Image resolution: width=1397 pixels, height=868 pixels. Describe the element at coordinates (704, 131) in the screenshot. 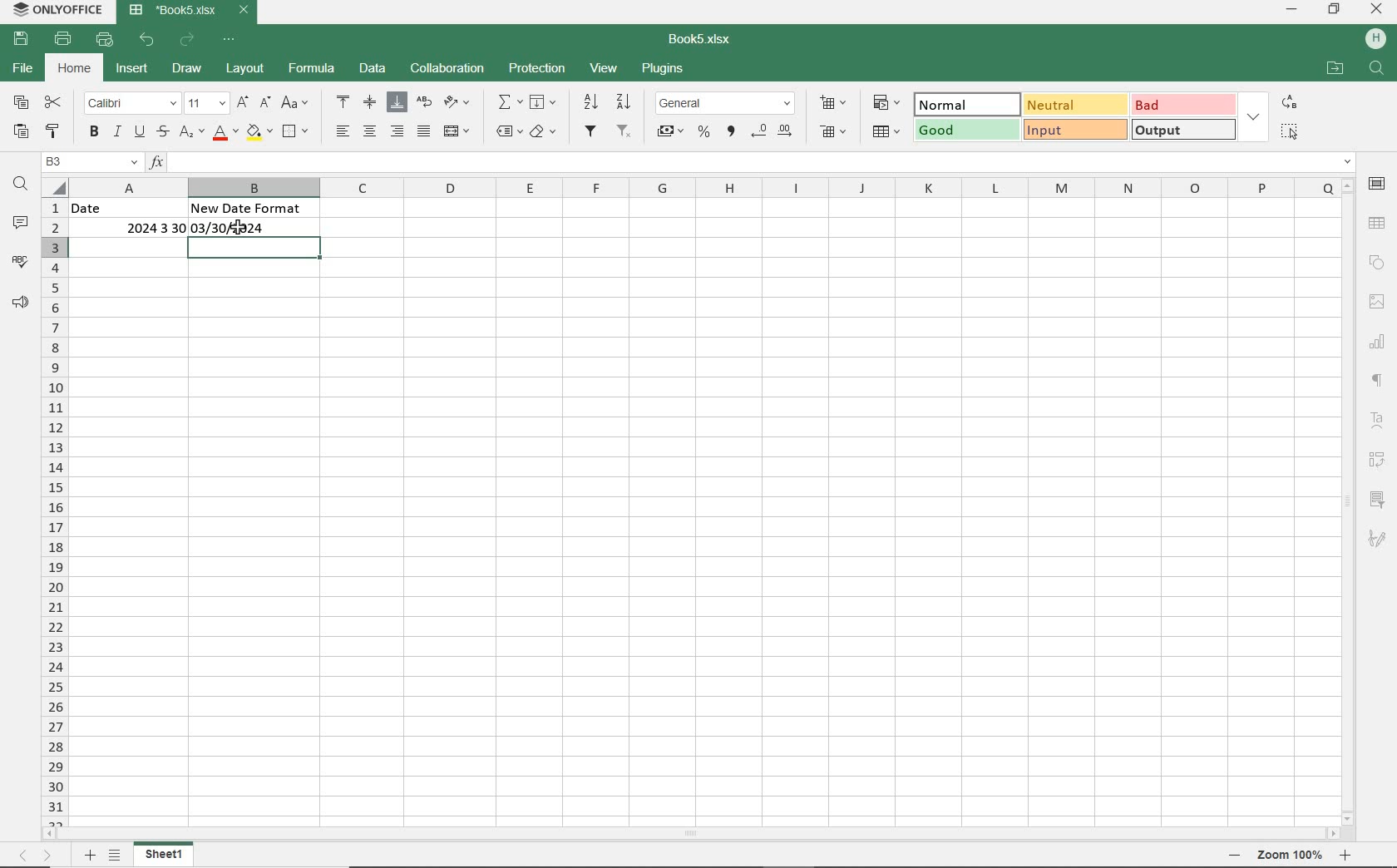

I see `PERCENT STYLE` at that location.